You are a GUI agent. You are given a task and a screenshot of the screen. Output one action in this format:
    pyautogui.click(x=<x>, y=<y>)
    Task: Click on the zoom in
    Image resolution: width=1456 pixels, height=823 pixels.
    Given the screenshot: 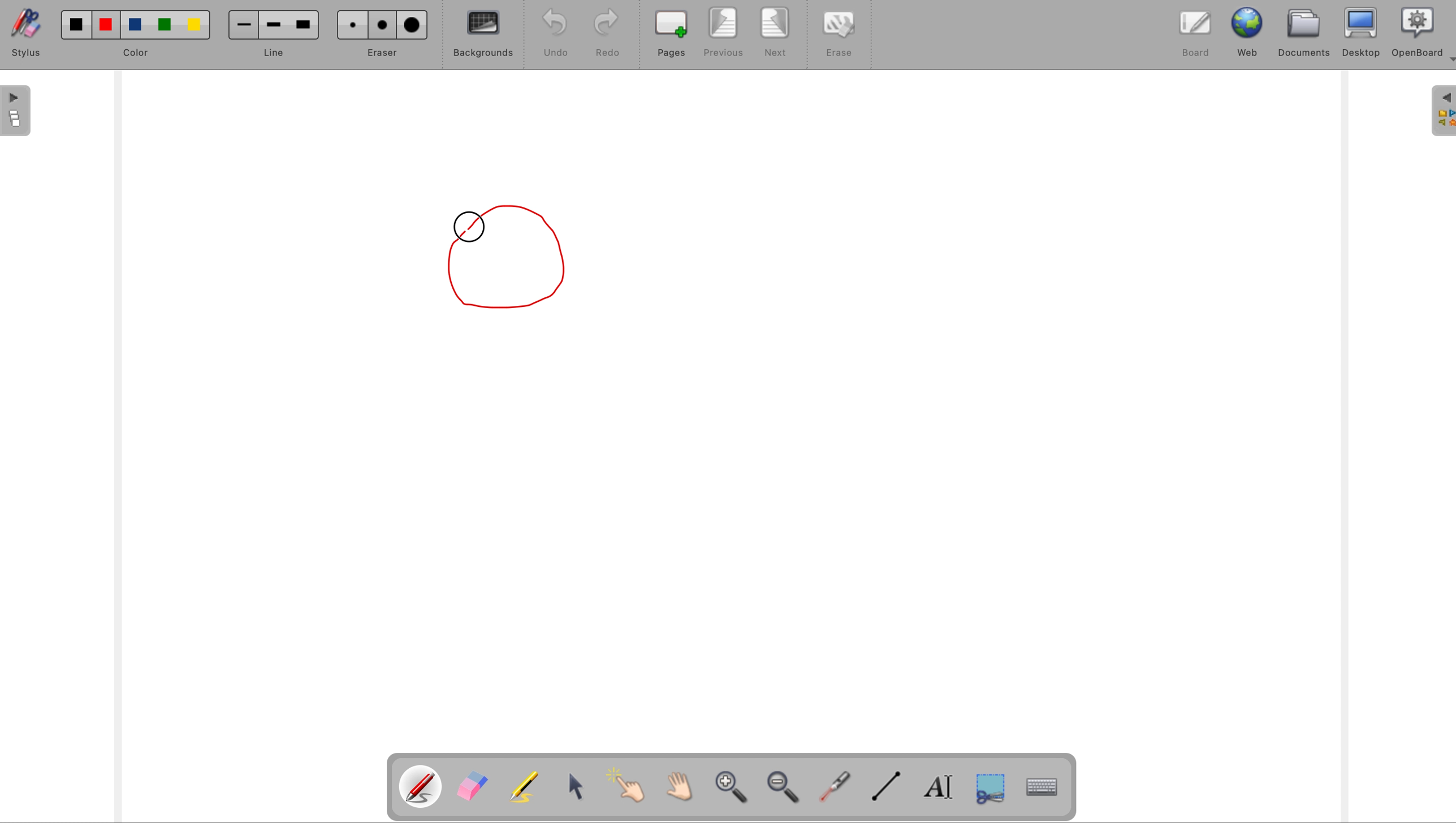 What is the action you would take?
    pyautogui.click(x=731, y=790)
    